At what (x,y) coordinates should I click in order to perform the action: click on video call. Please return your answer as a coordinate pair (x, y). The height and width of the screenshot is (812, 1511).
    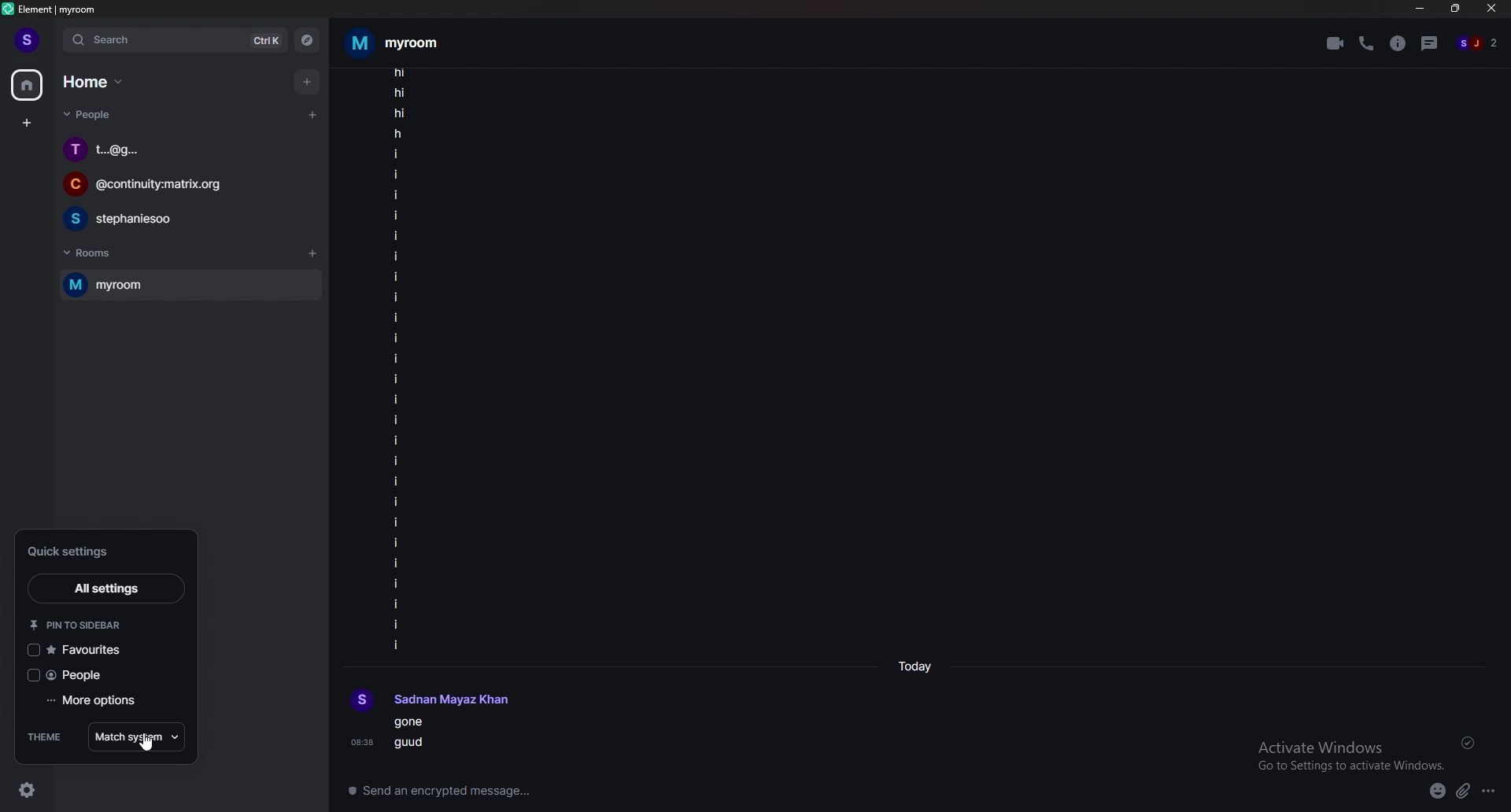
    Looking at the image, I should click on (1336, 42).